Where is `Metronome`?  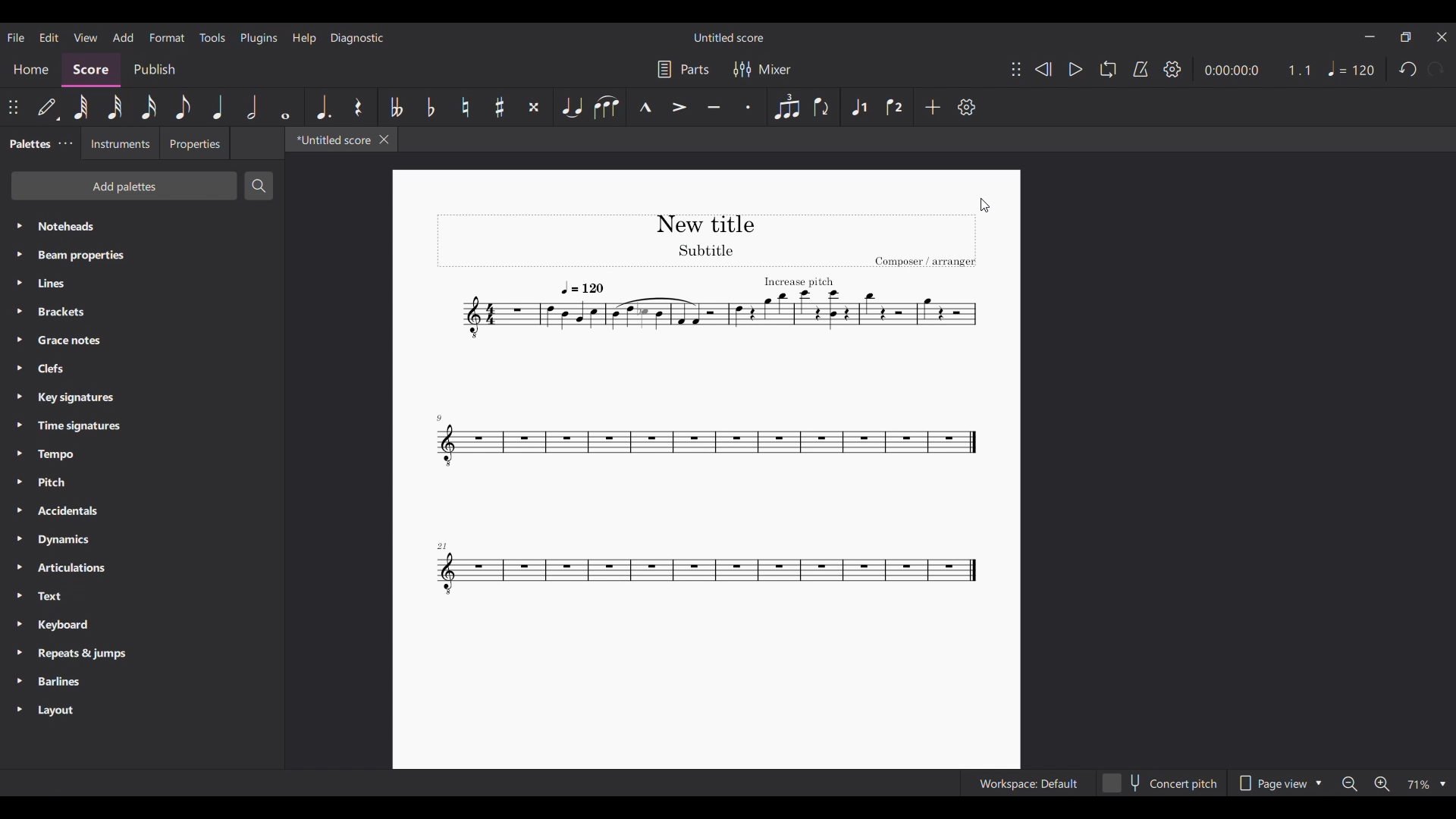 Metronome is located at coordinates (1141, 69).